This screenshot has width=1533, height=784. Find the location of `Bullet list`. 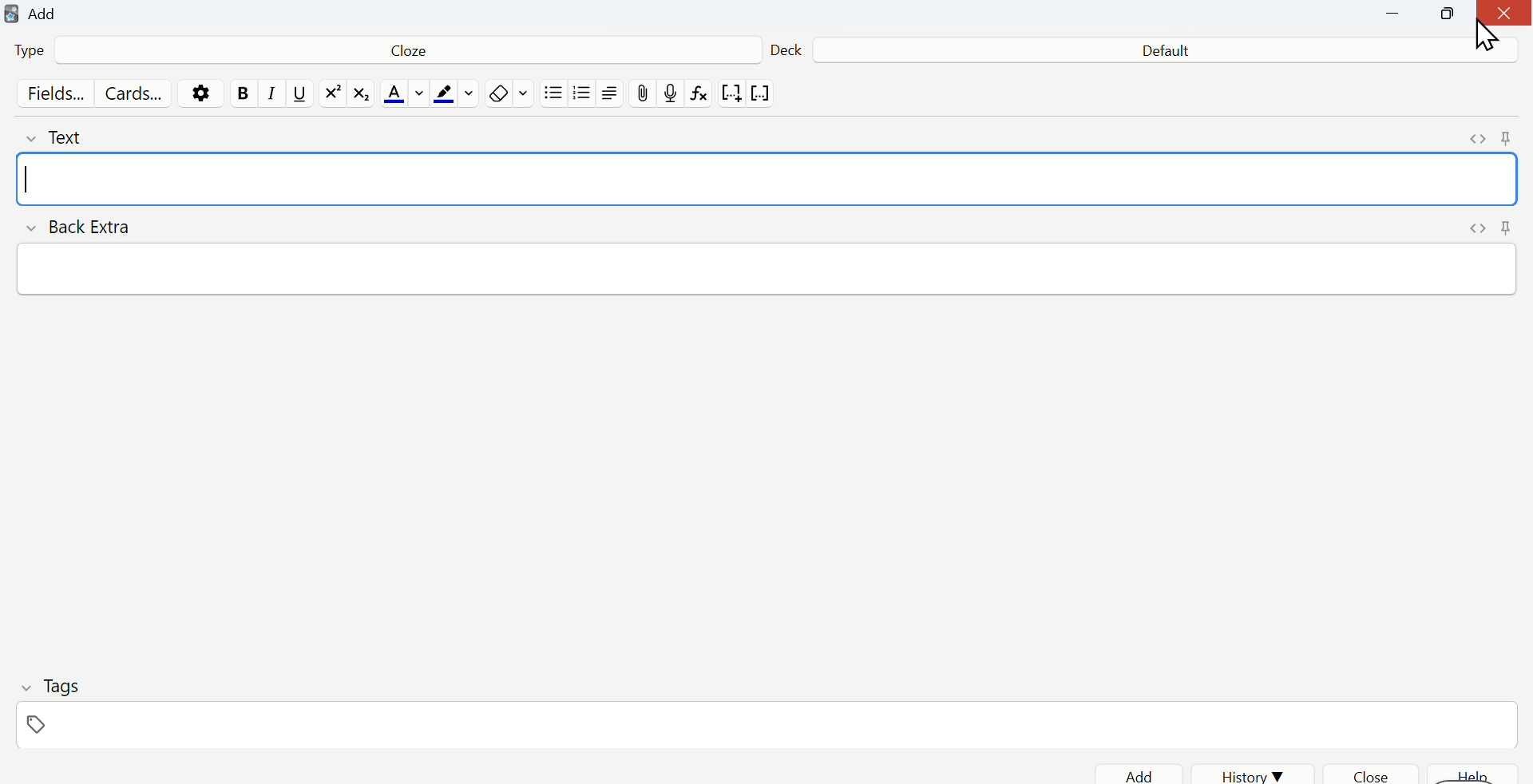

Bullet list is located at coordinates (553, 97).